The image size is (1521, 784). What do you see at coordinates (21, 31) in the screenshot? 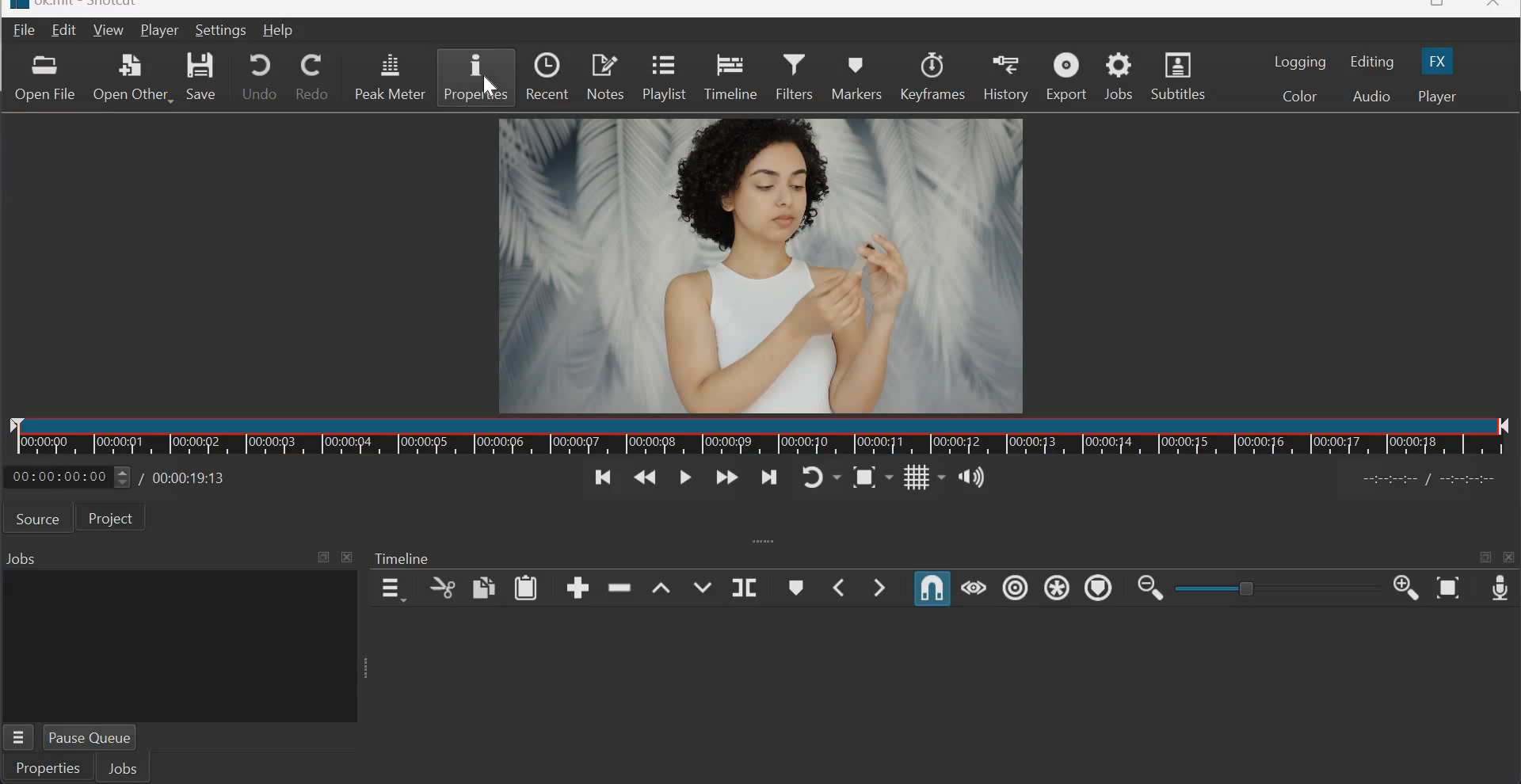
I see `File` at bounding box center [21, 31].